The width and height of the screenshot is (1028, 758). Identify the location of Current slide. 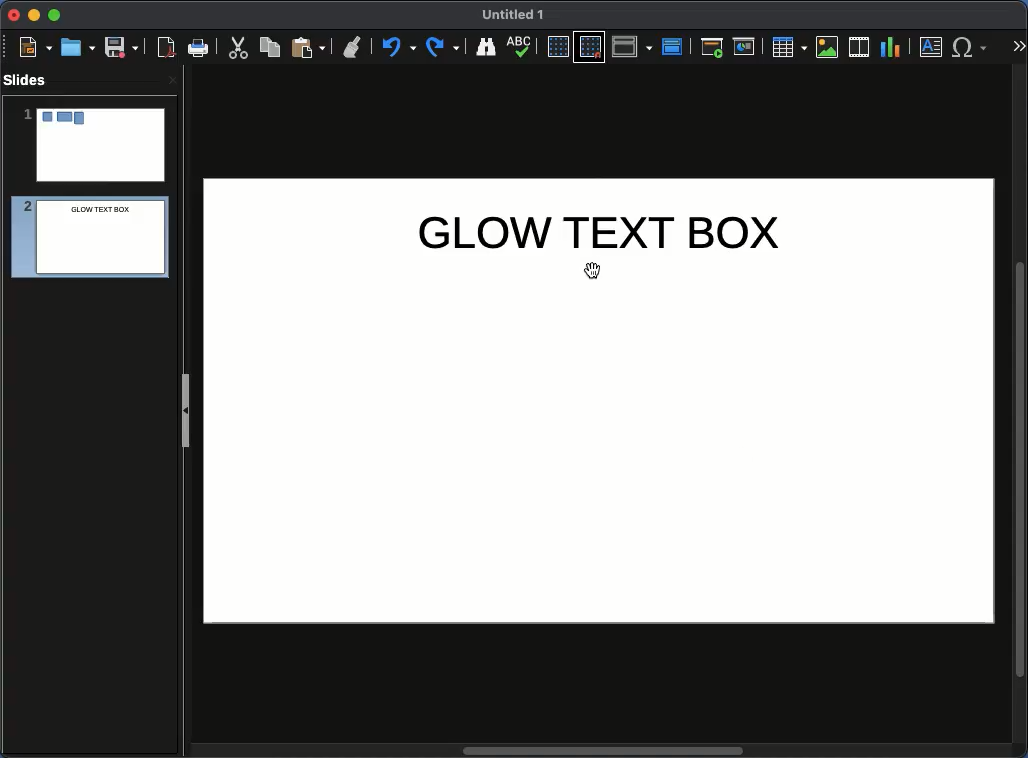
(747, 47).